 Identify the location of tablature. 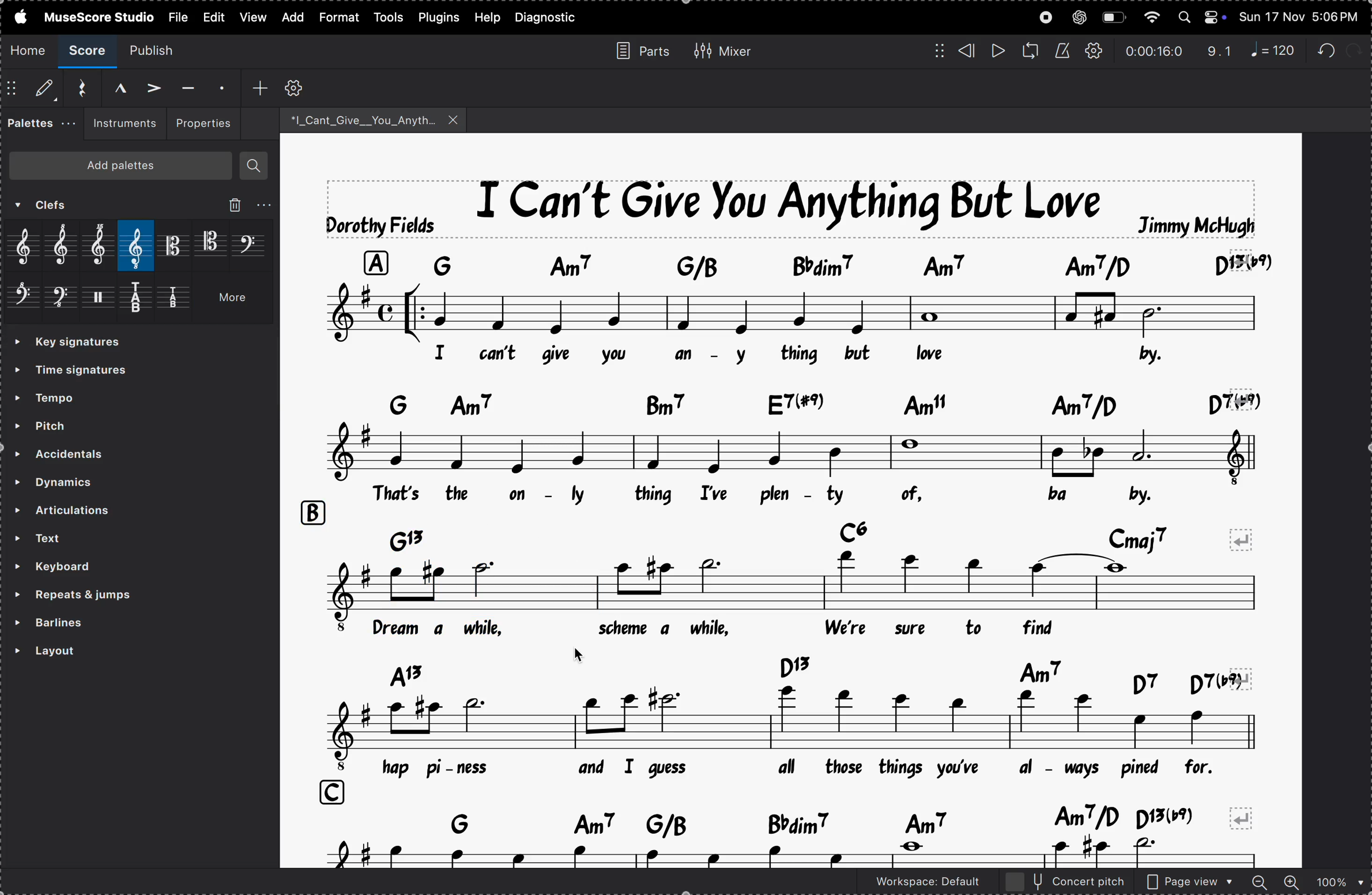
(142, 300).